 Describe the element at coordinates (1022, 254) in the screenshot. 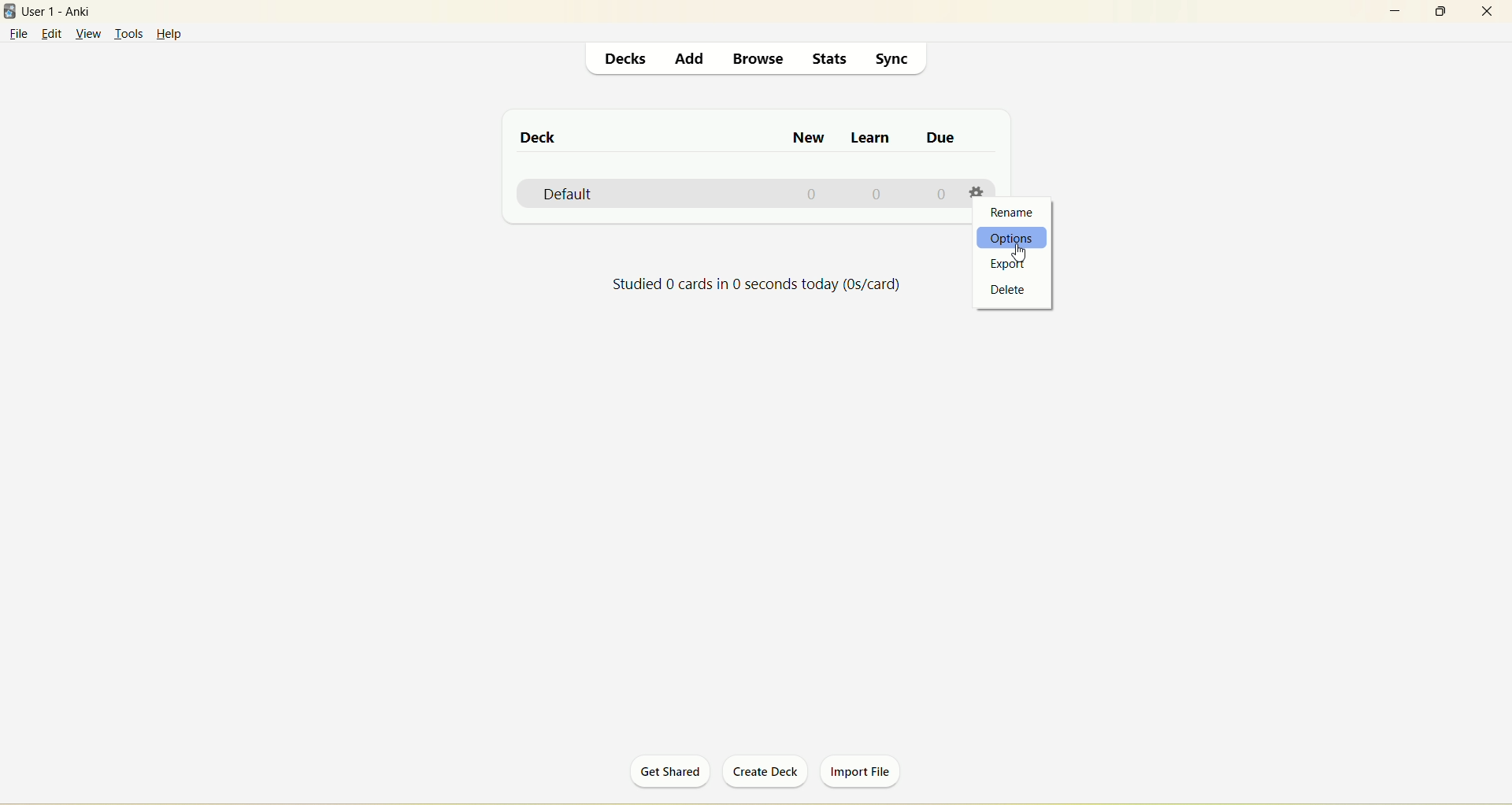

I see `cursor` at that location.